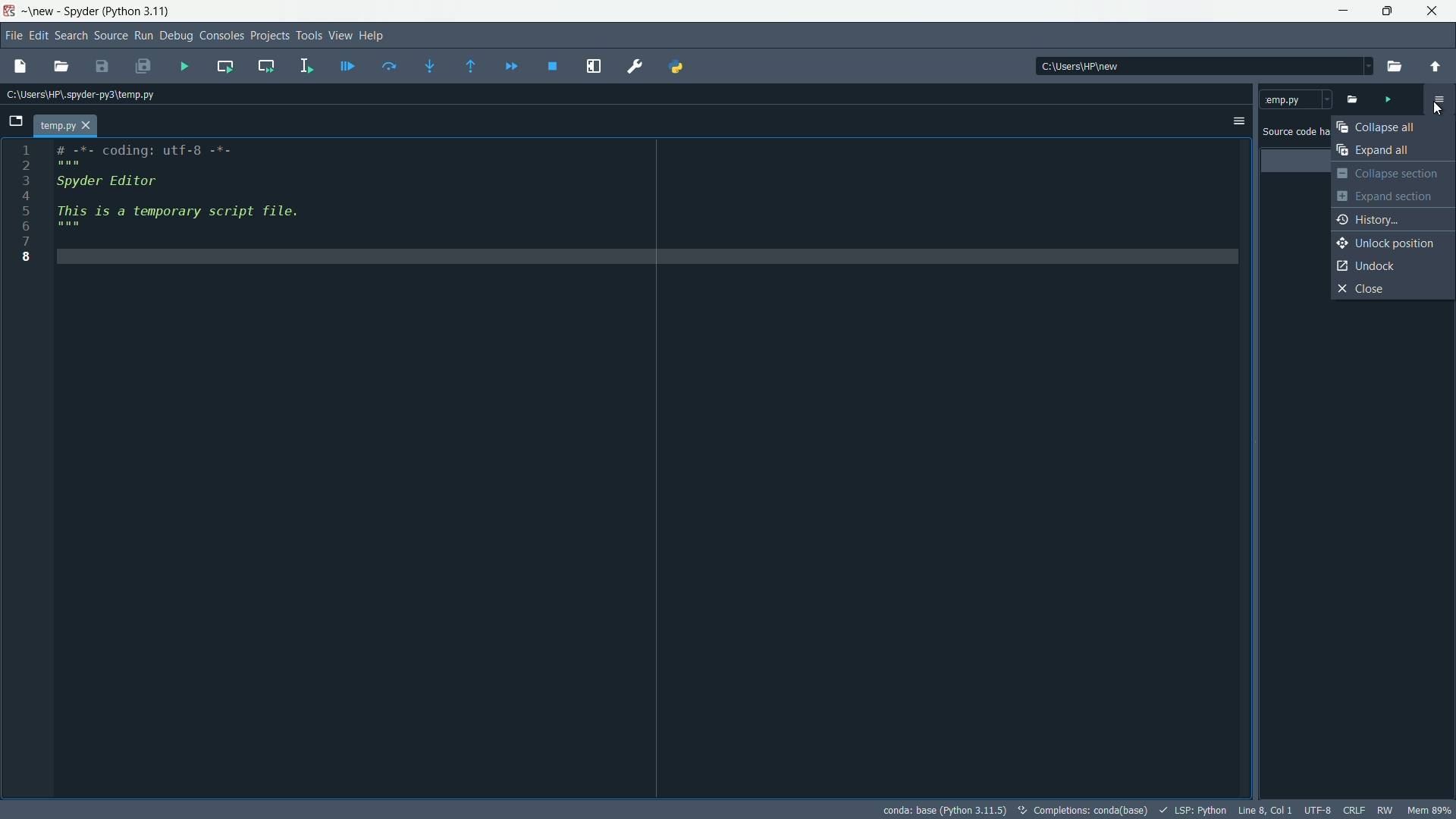  I want to click on debug file, so click(349, 67).